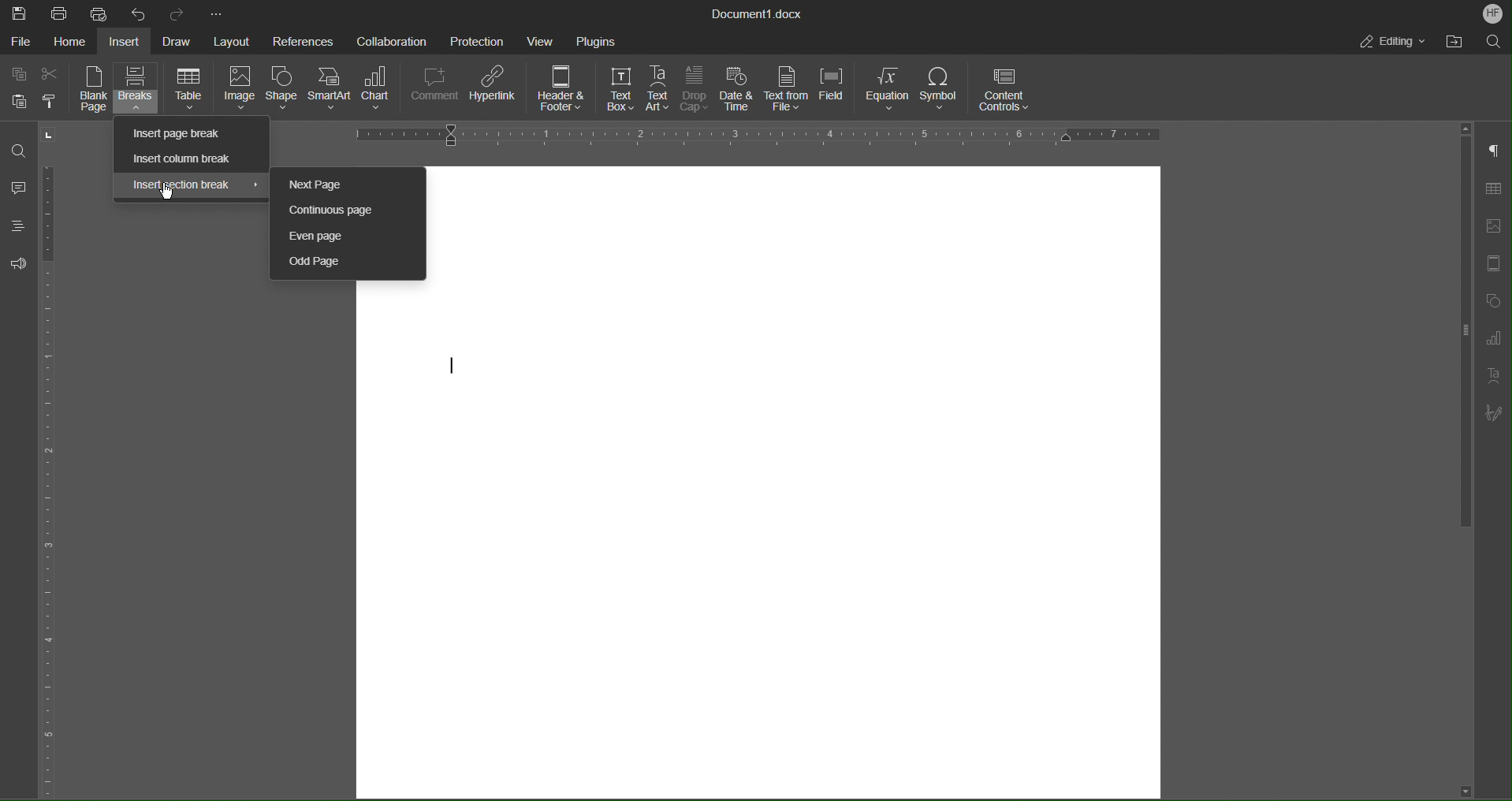 This screenshot has width=1512, height=801. I want to click on Comment, so click(434, 91).